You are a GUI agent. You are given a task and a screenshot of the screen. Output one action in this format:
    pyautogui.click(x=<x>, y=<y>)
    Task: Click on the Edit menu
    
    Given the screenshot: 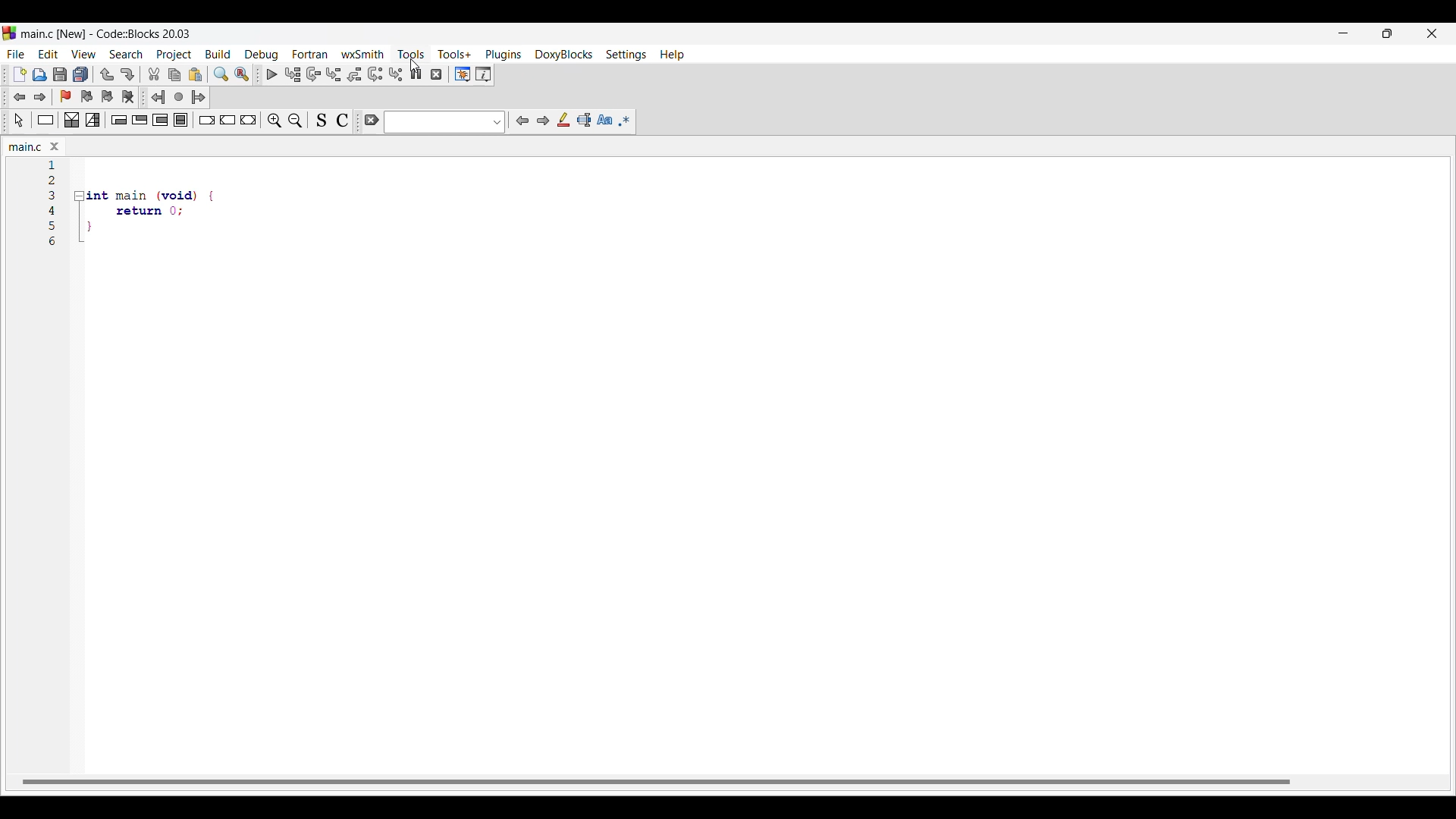 What is the action you would take?
    pyautogui.click(x=48, y=55)
    